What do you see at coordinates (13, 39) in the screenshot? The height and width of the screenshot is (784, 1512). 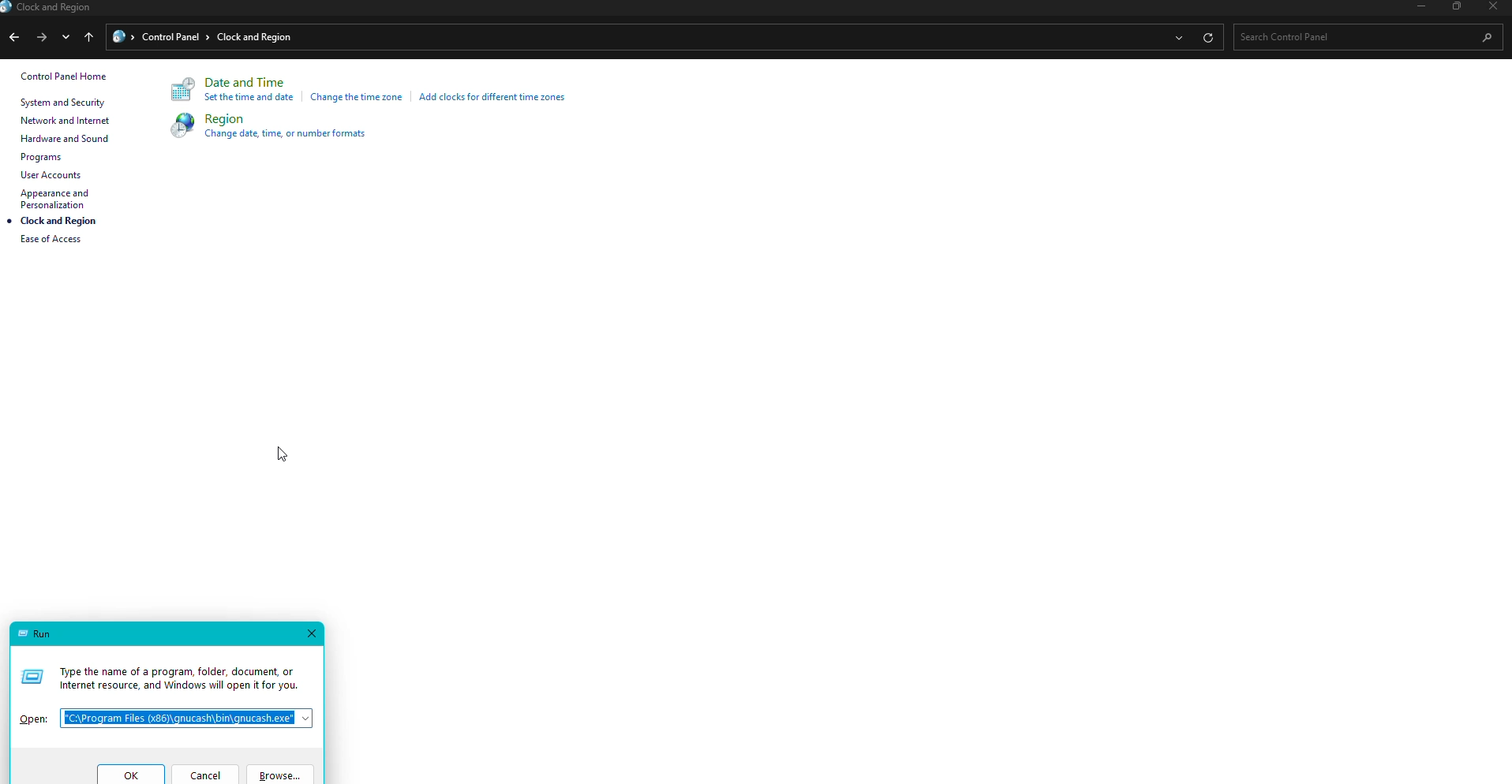 I see `previous` at bounding box center [13, 39].